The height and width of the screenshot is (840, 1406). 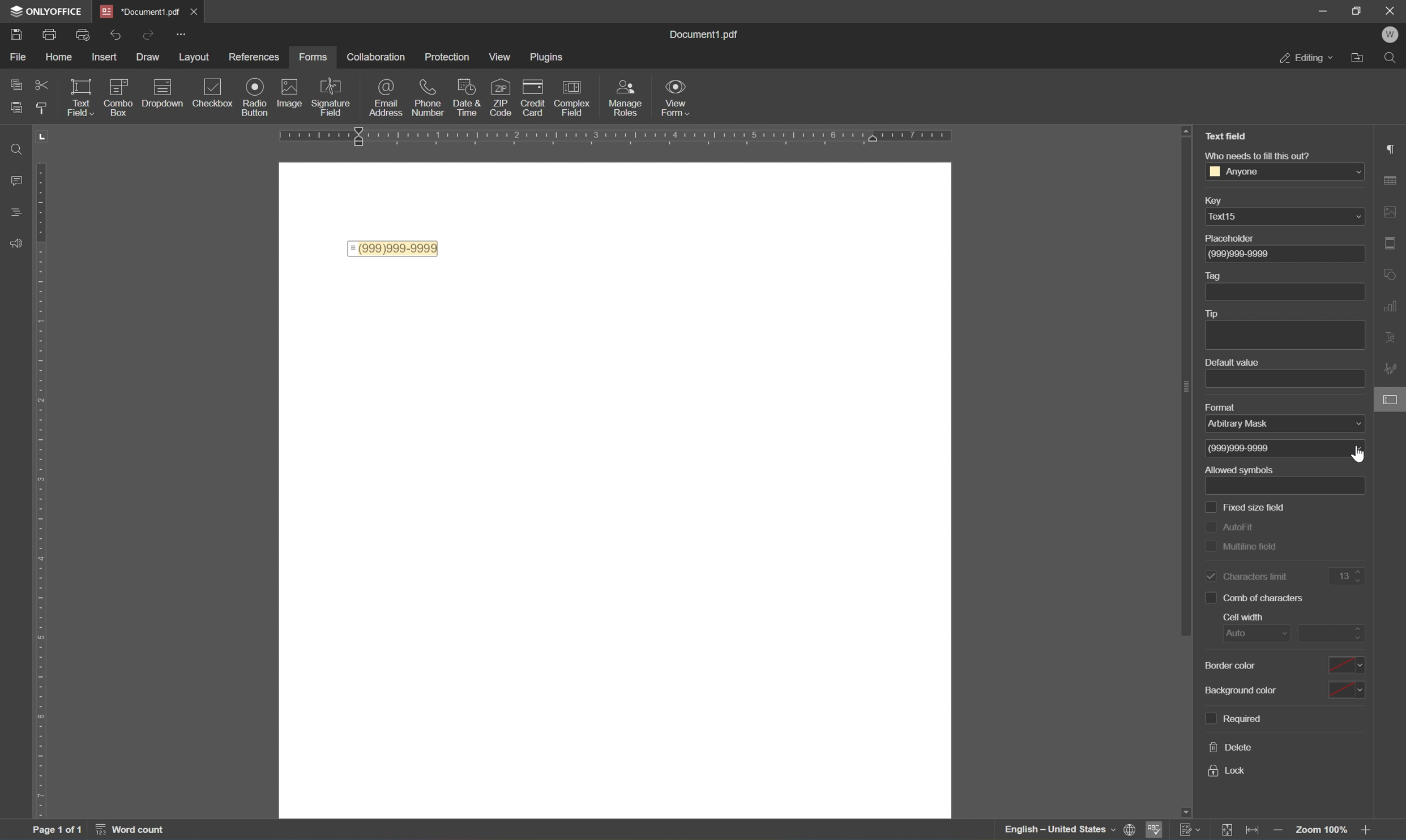 What do you see at coordinates (1257, 156) in the screenshot?
I see `who needs to fill this out?` at bounding box center [1257, 156].